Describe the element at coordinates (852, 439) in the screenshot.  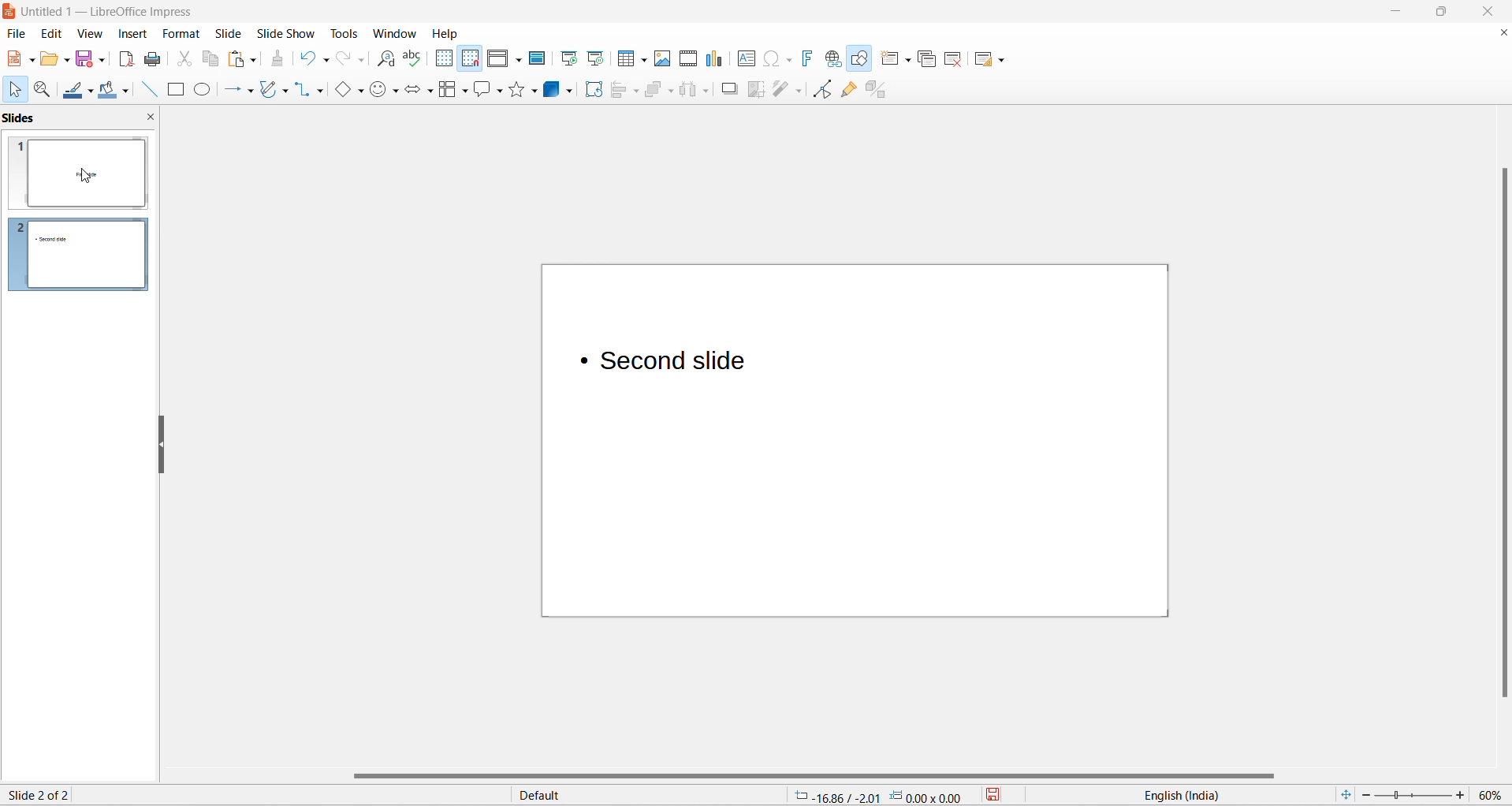
I see `canvas` at that location.